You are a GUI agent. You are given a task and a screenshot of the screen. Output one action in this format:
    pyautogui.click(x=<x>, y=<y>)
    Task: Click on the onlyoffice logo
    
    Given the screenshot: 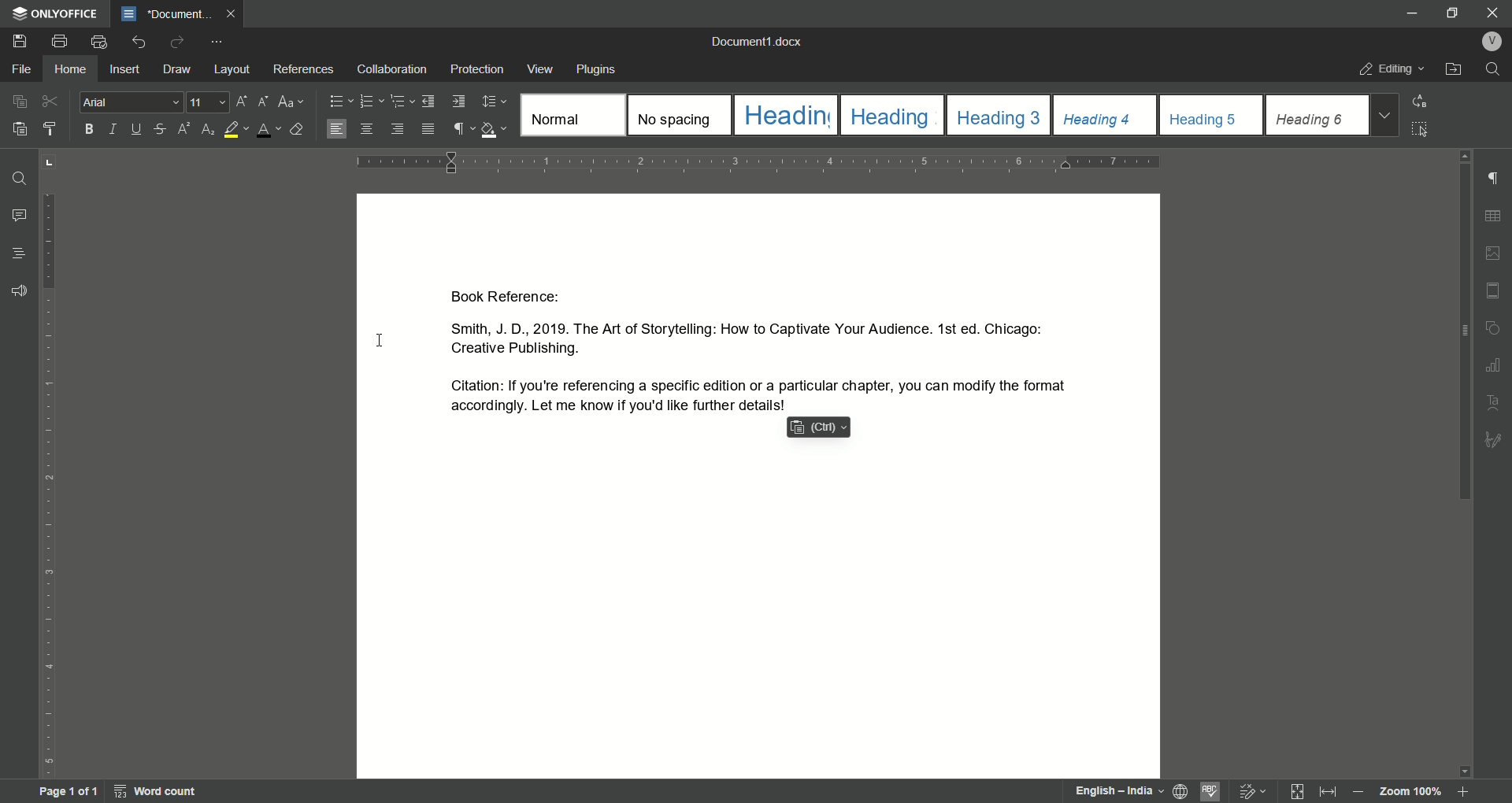 What is the action you would take?
    pyautogui.click(x=56, y=13)
    